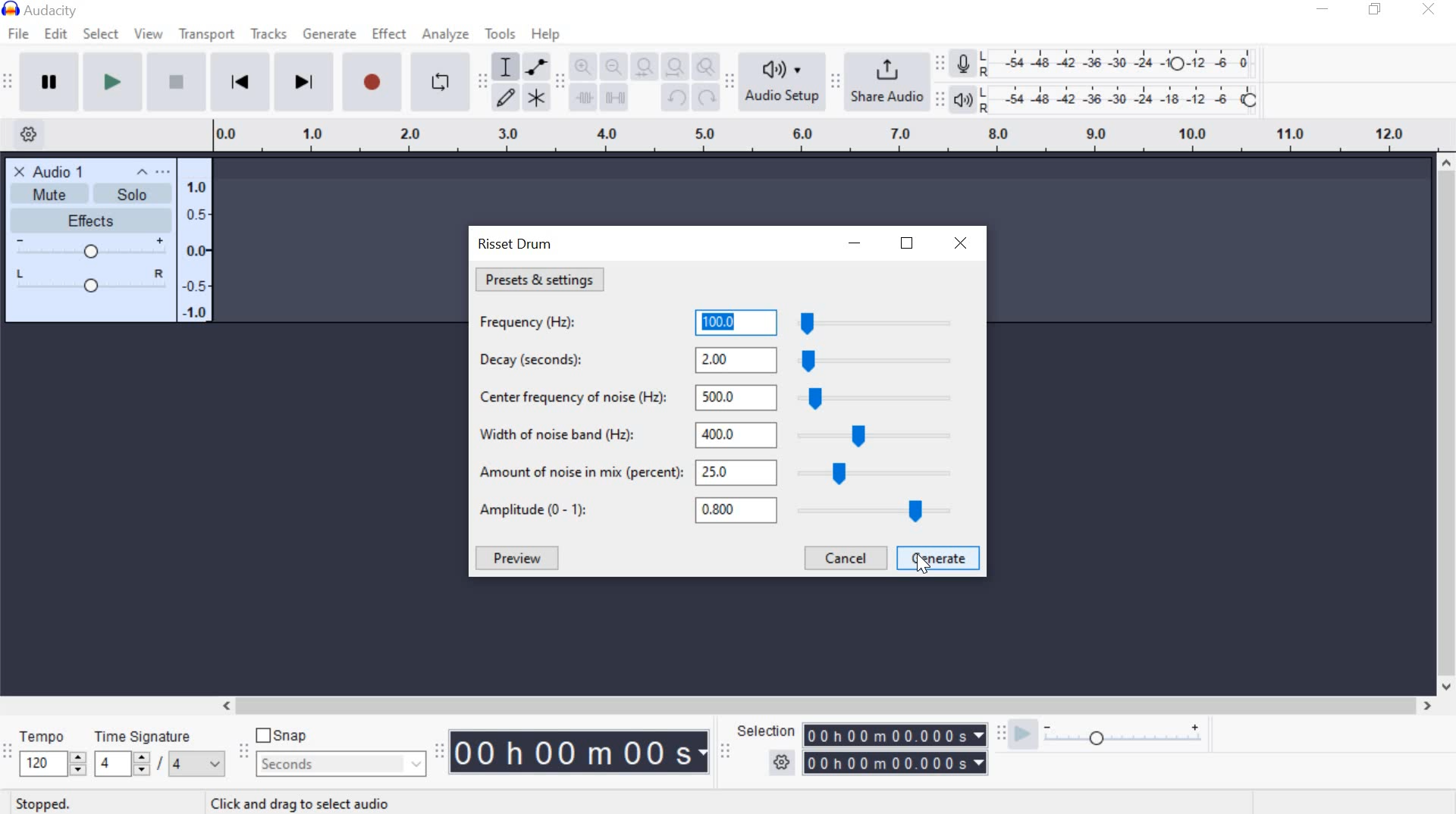  Describe the element at coordinates (147, 172) in the screenshot. I see `expand` at that location.